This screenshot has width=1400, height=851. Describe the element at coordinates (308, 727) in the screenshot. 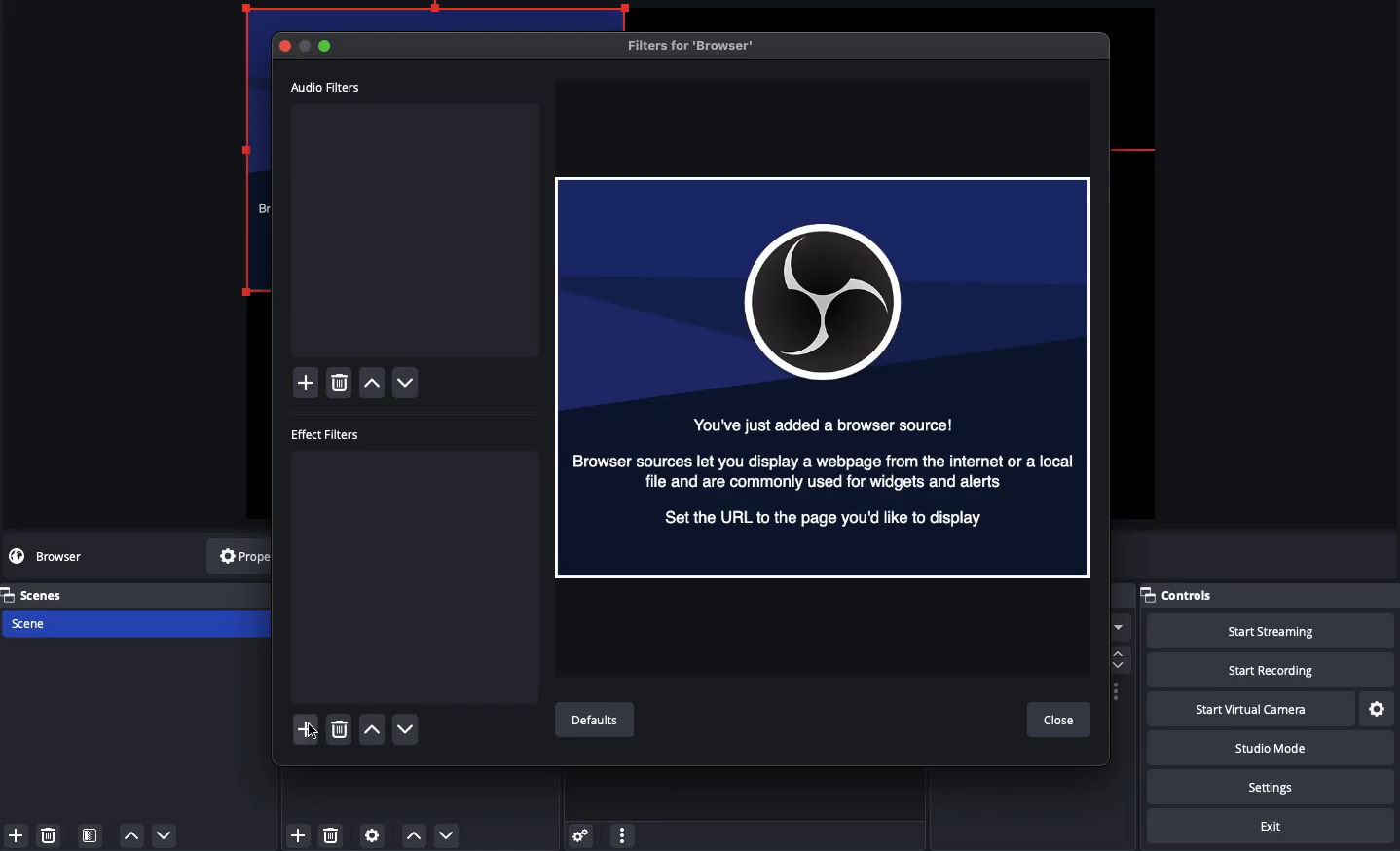

I see `Add` at that location.